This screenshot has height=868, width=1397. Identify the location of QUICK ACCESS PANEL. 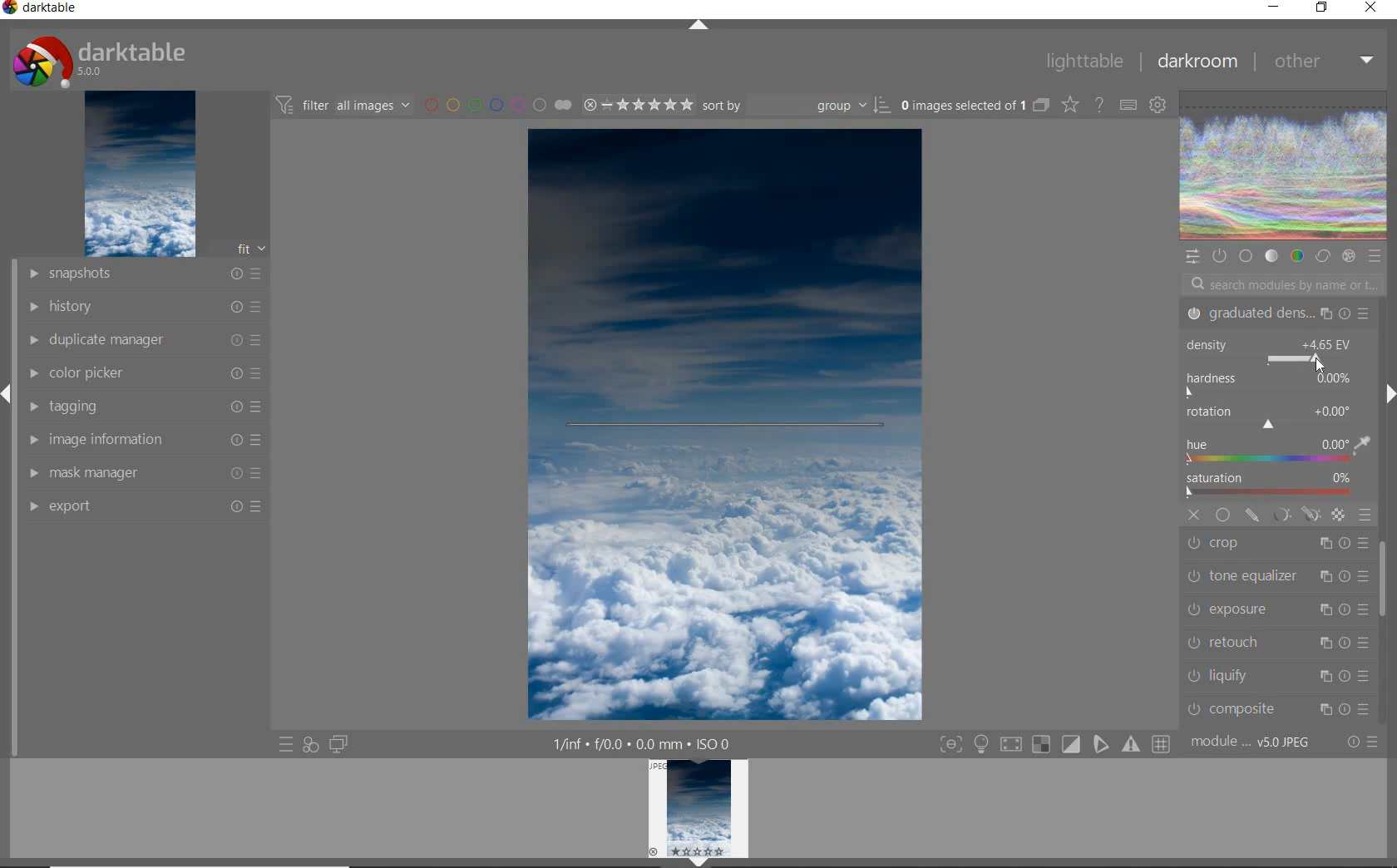
(1192, 254).